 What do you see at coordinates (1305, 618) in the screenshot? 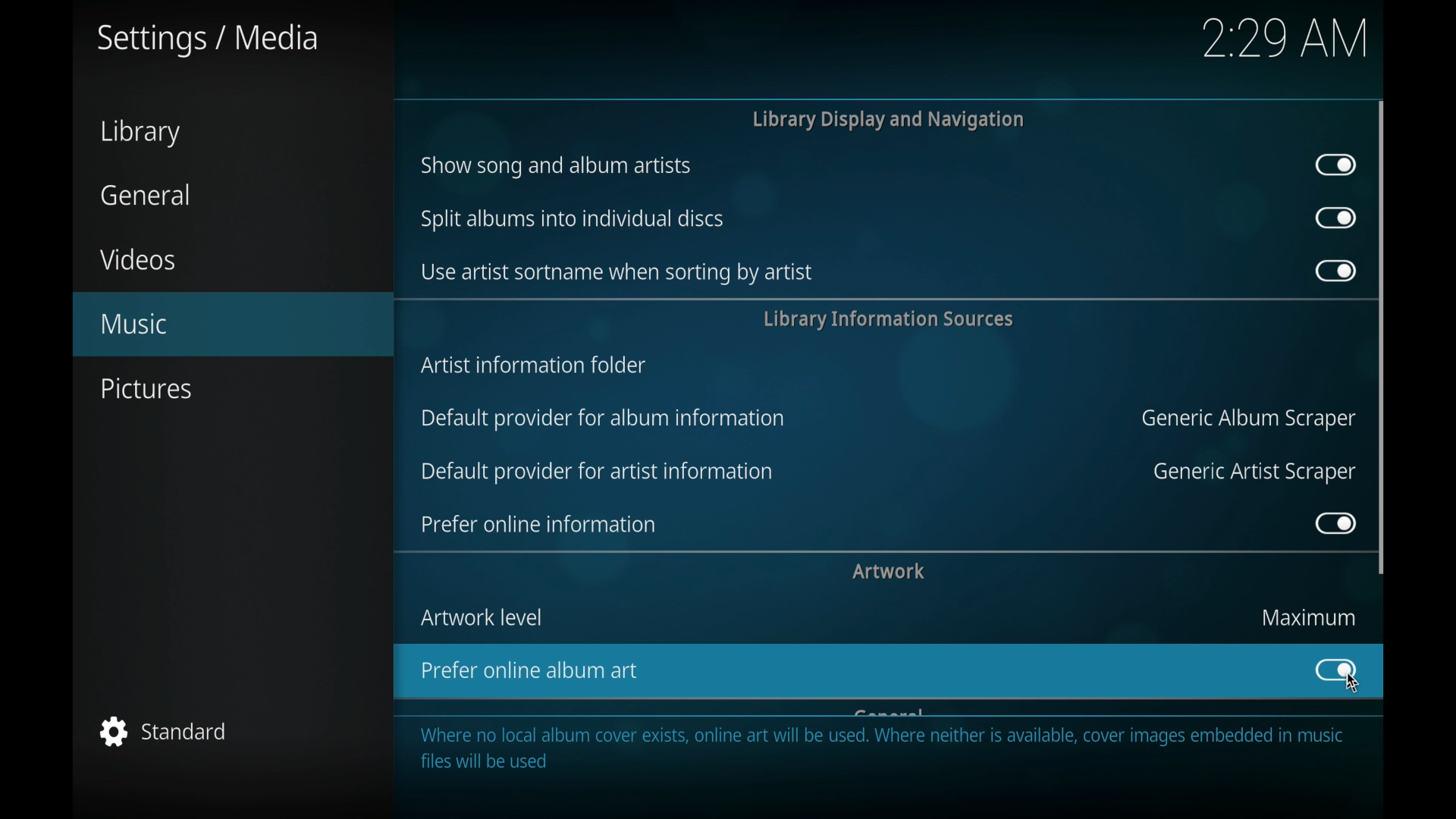
I see `maximum` at bounding box center [1305, 618].